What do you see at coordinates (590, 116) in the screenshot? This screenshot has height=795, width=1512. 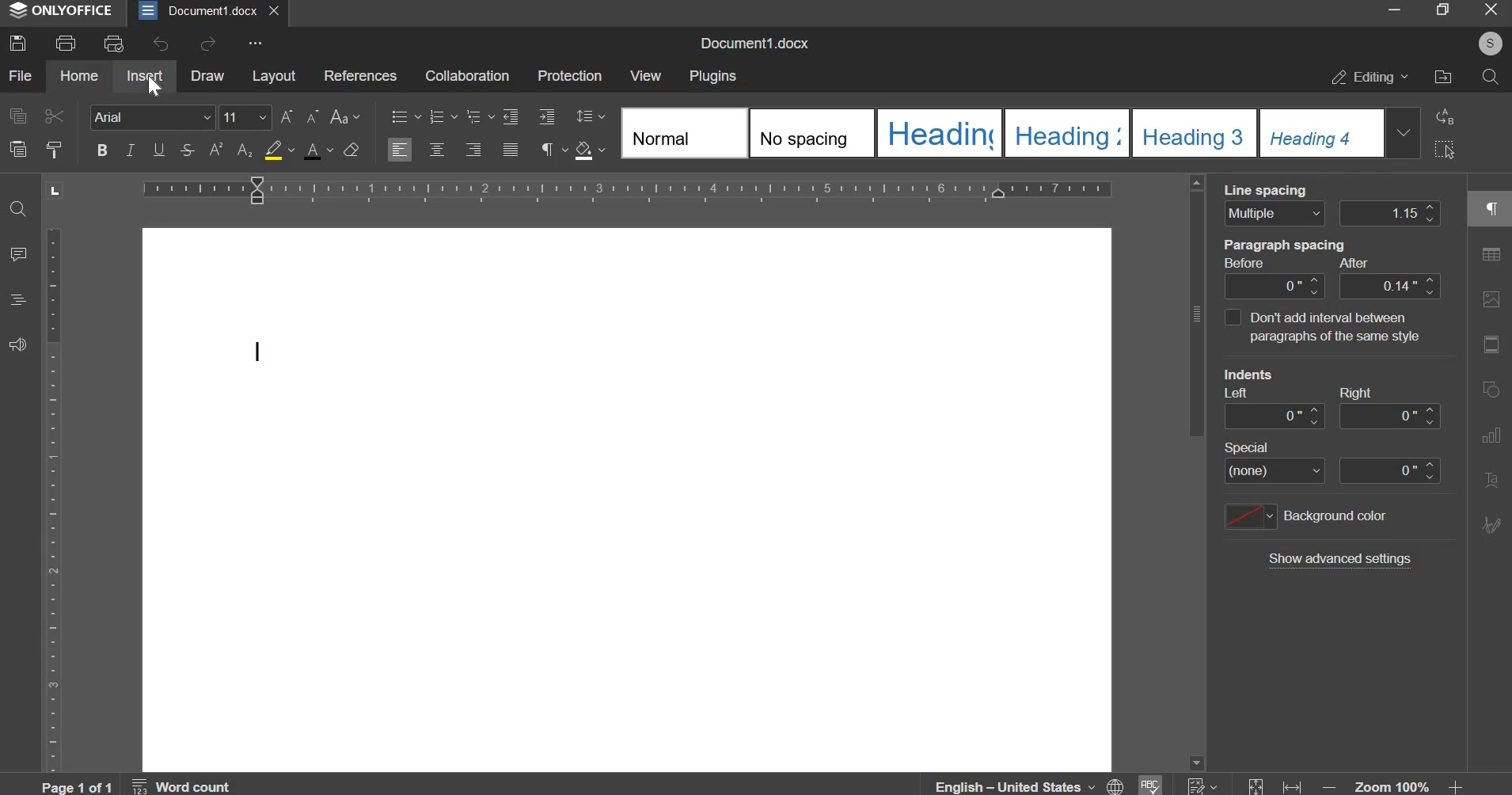 I see `line spacing` at bounding box center [590, 116].